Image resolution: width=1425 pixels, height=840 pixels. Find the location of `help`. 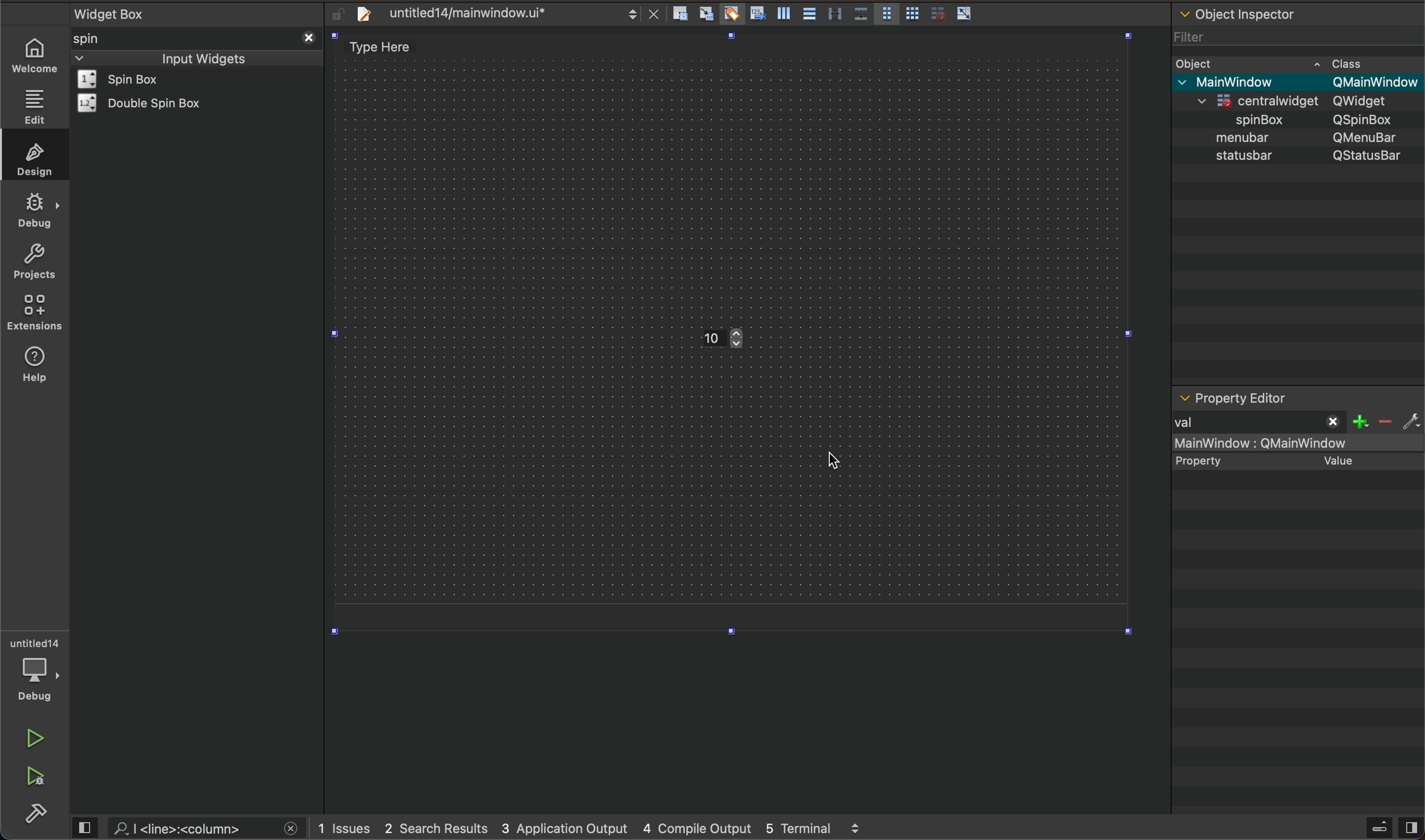

help is located at coordinates (40, 371).